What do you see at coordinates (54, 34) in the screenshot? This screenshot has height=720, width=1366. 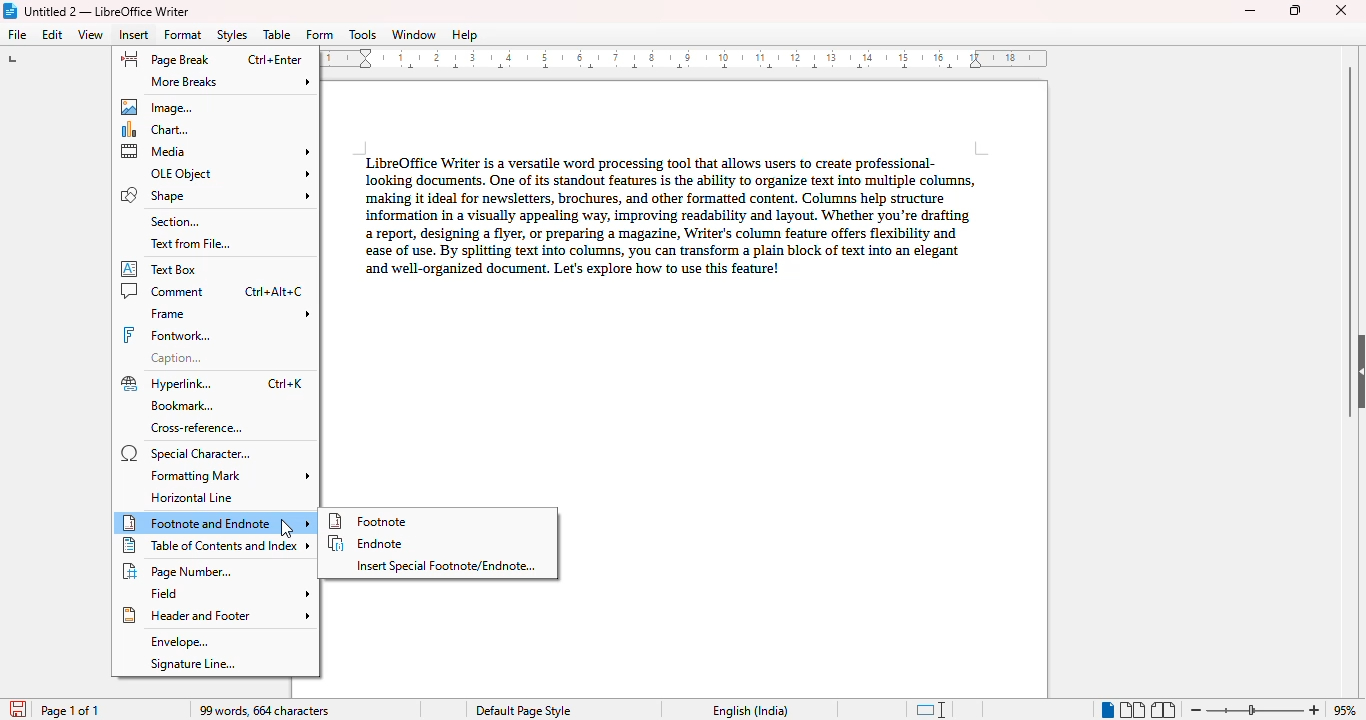 I see `edit` at bounding box center [54, 34].